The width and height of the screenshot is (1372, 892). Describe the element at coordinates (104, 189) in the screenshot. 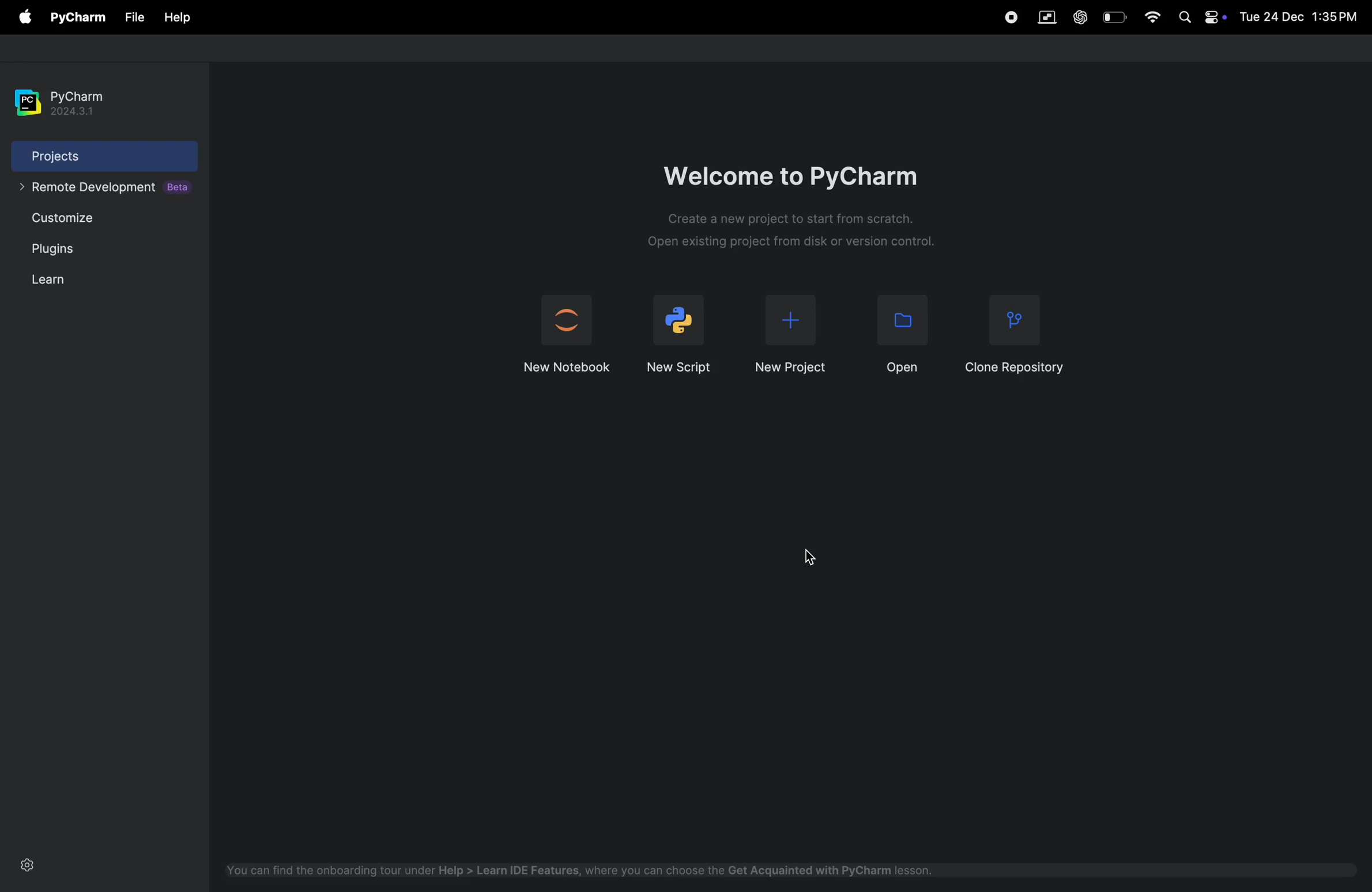

I see `remote developement` at that location.